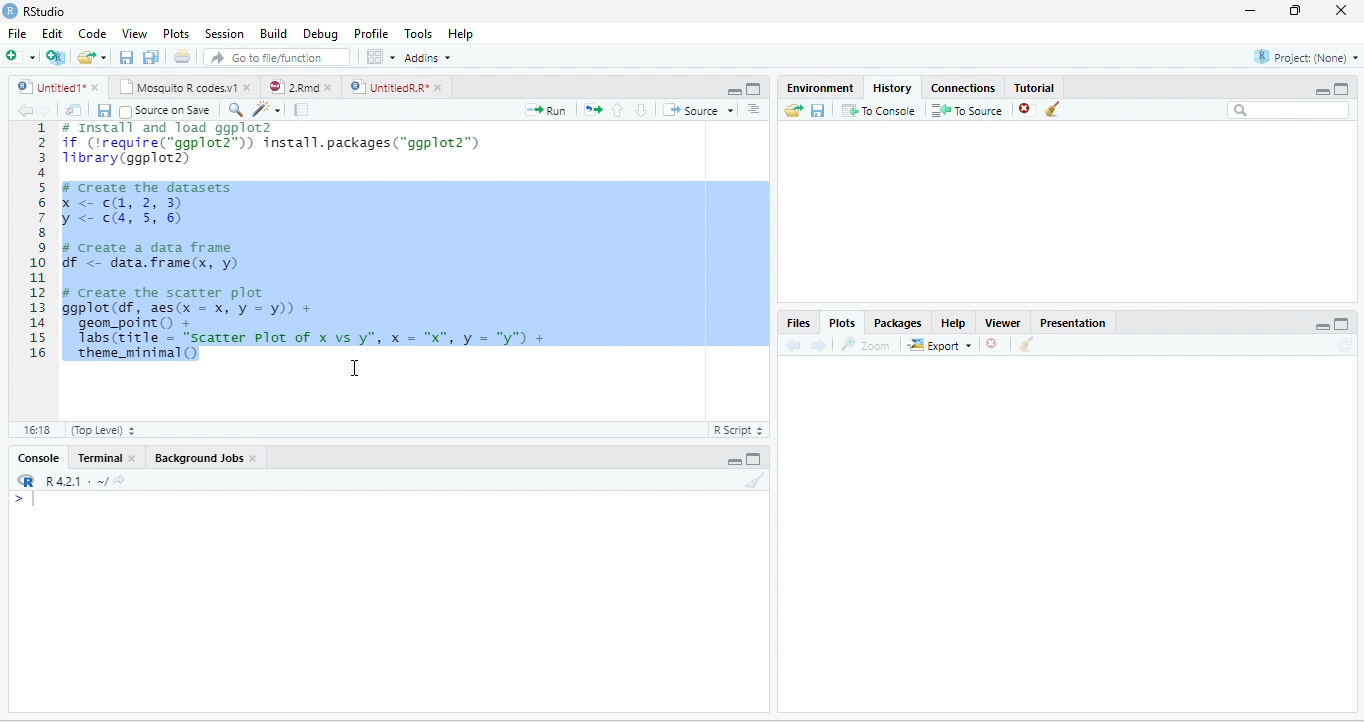  Describe the element at coordinates (127, 56) in the screenshot. I see `Save current document` at that location.